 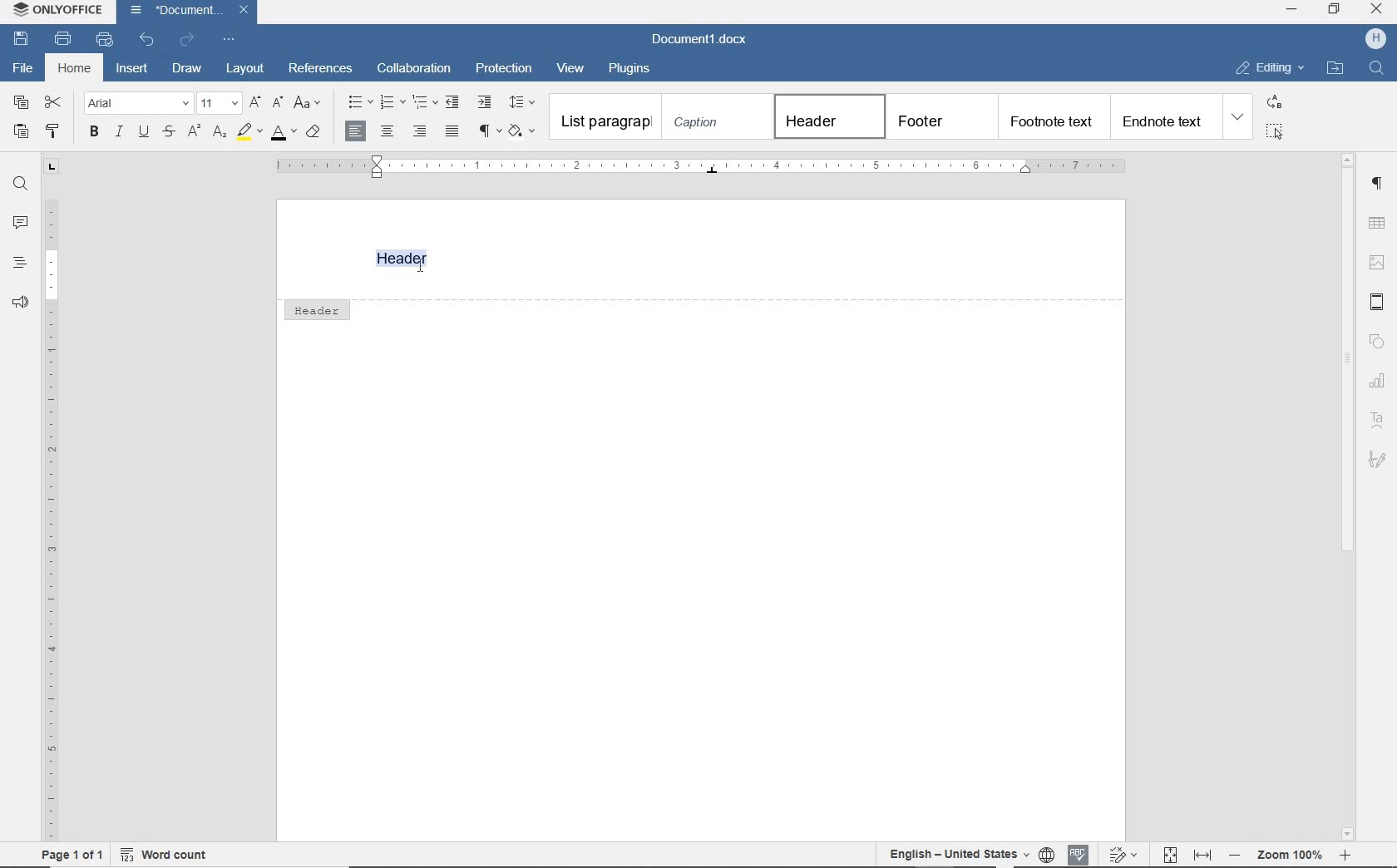 I want to click on customize quick access bar, so click(x=230, y=39).